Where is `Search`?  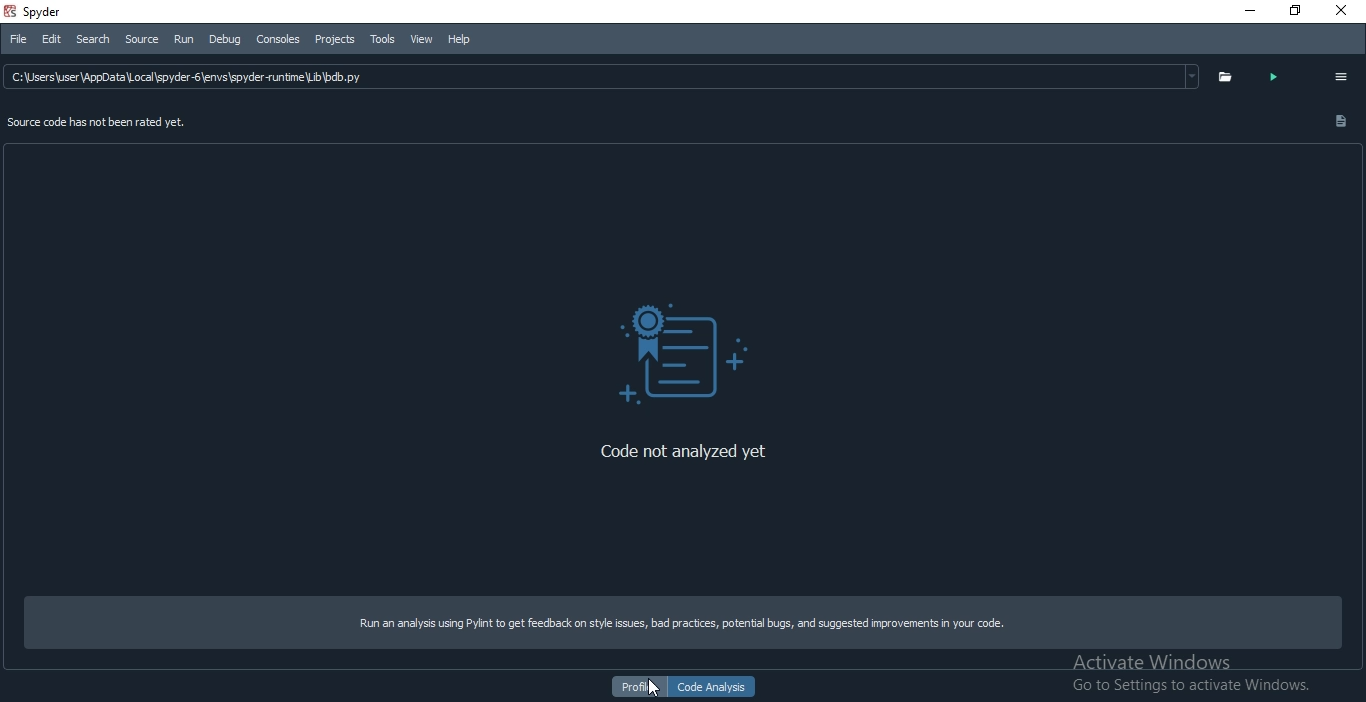 Search is located at coordinates (91, 41).